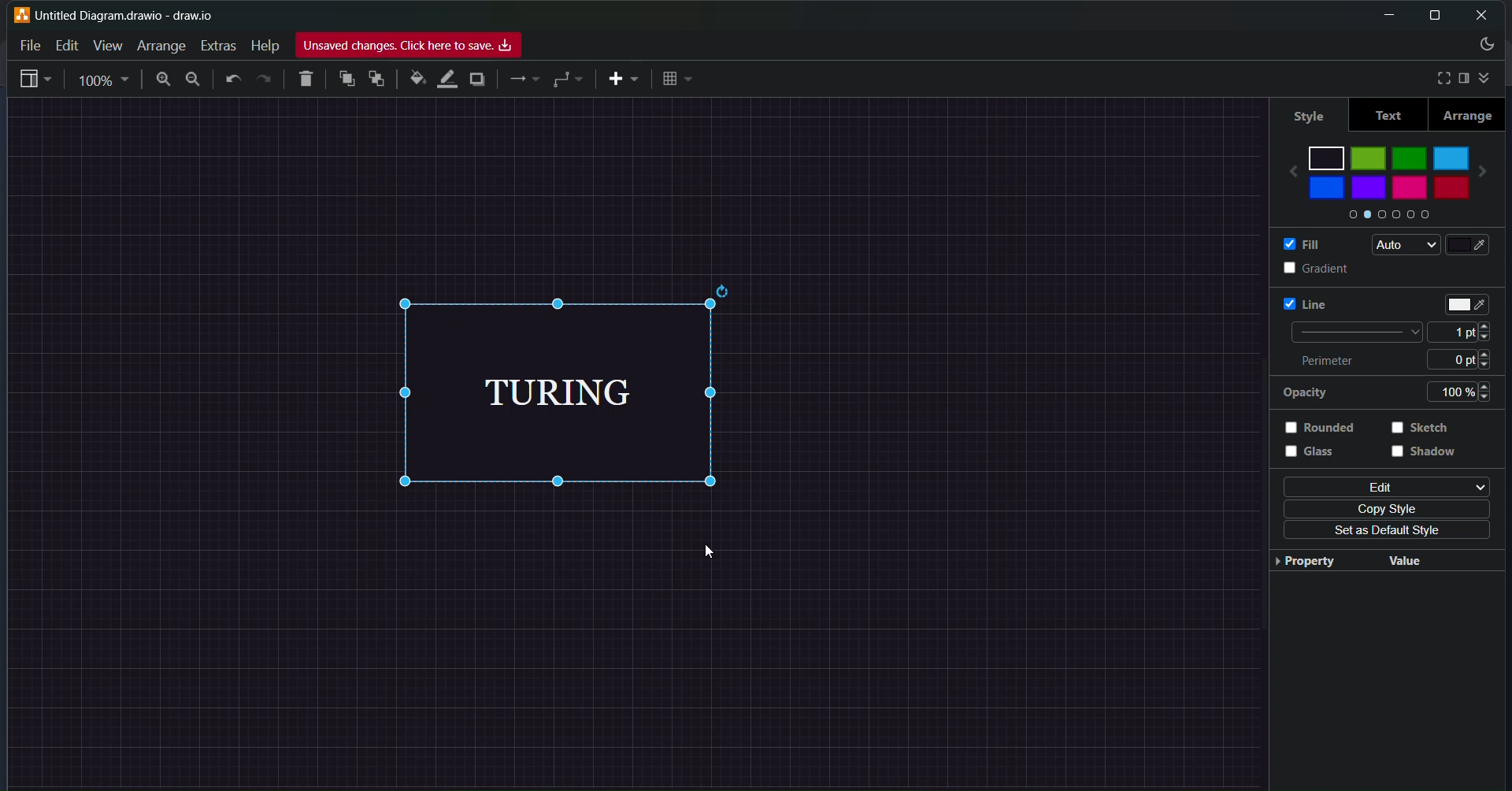  What do you see at coordinates (106, 80) in the screenshot?
I see `zoom percentage` at bounding box center [106, 80].